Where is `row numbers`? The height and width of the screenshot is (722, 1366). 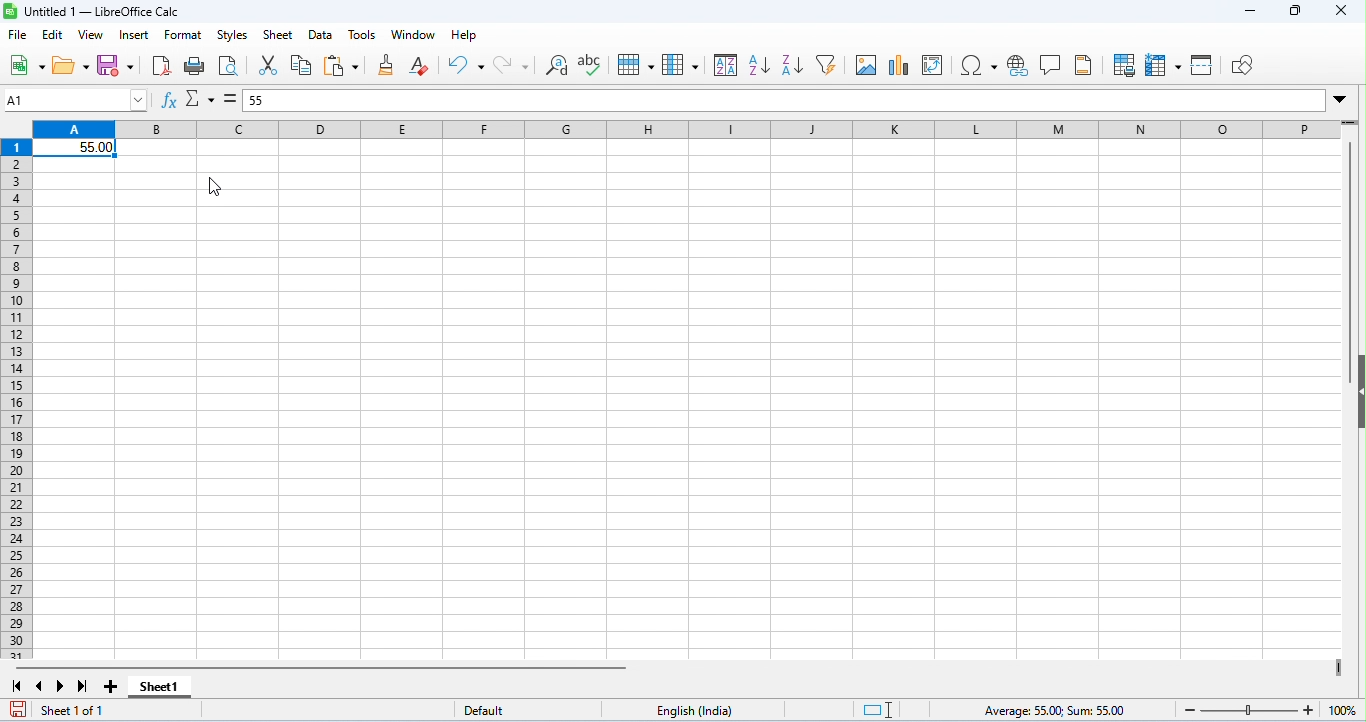 row numbers is located at coordinates (19, 402).